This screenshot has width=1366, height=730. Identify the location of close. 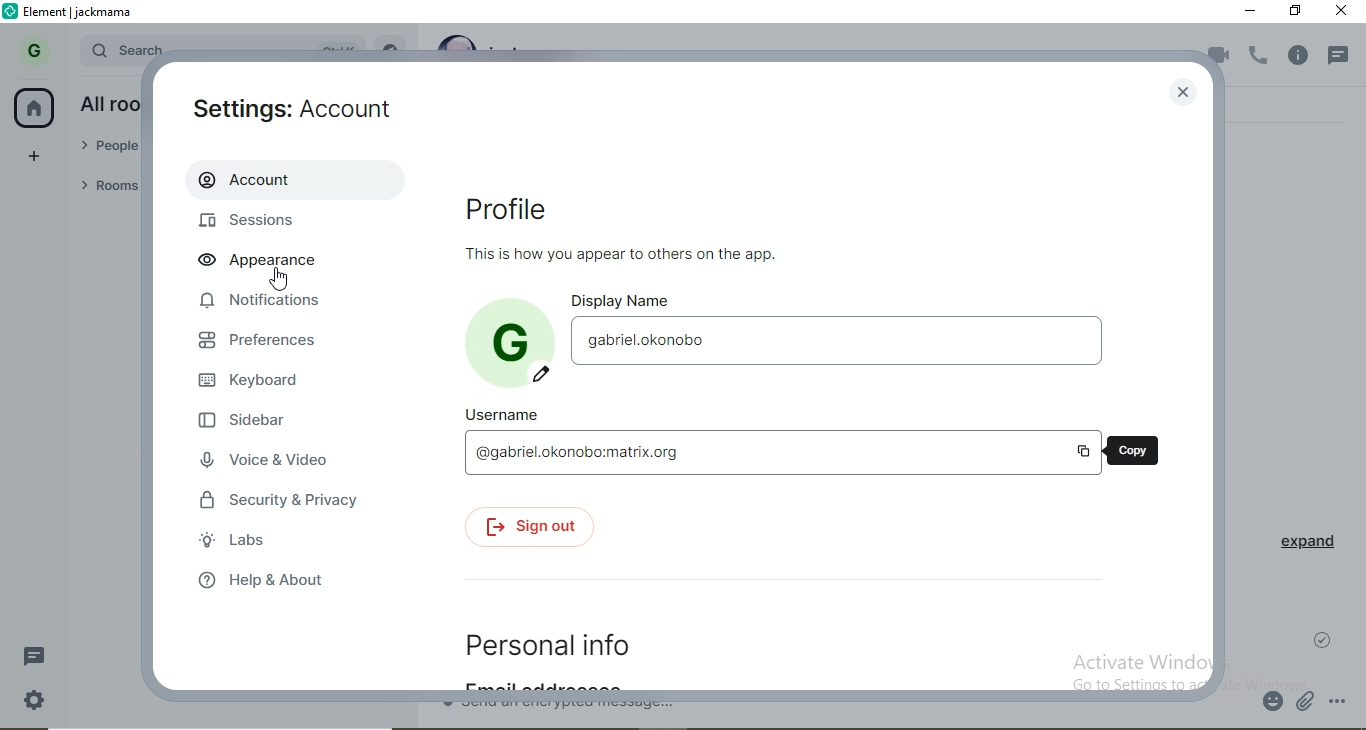
(1343, 14).